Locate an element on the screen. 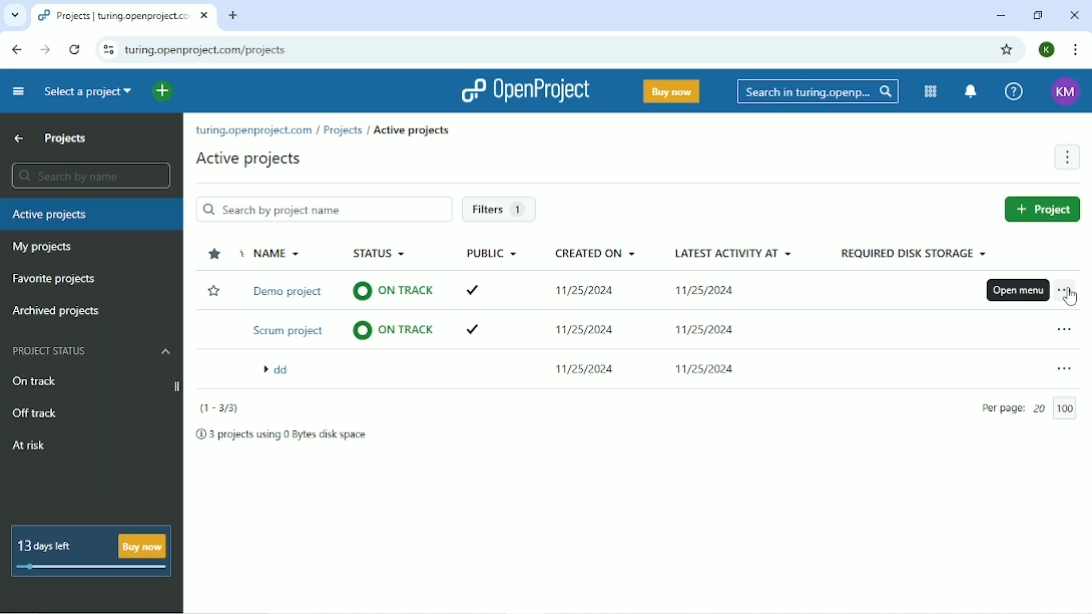 The image size is (1092, 614). Collapse project menu is located at coordinates (18, 92).